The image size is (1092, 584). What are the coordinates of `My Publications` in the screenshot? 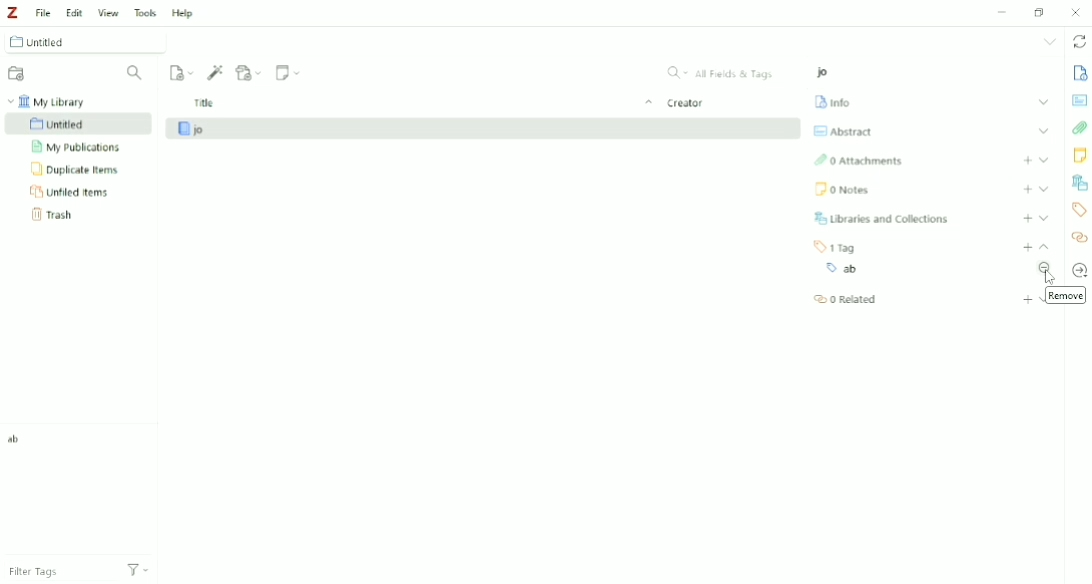 It's located at (77, 148).